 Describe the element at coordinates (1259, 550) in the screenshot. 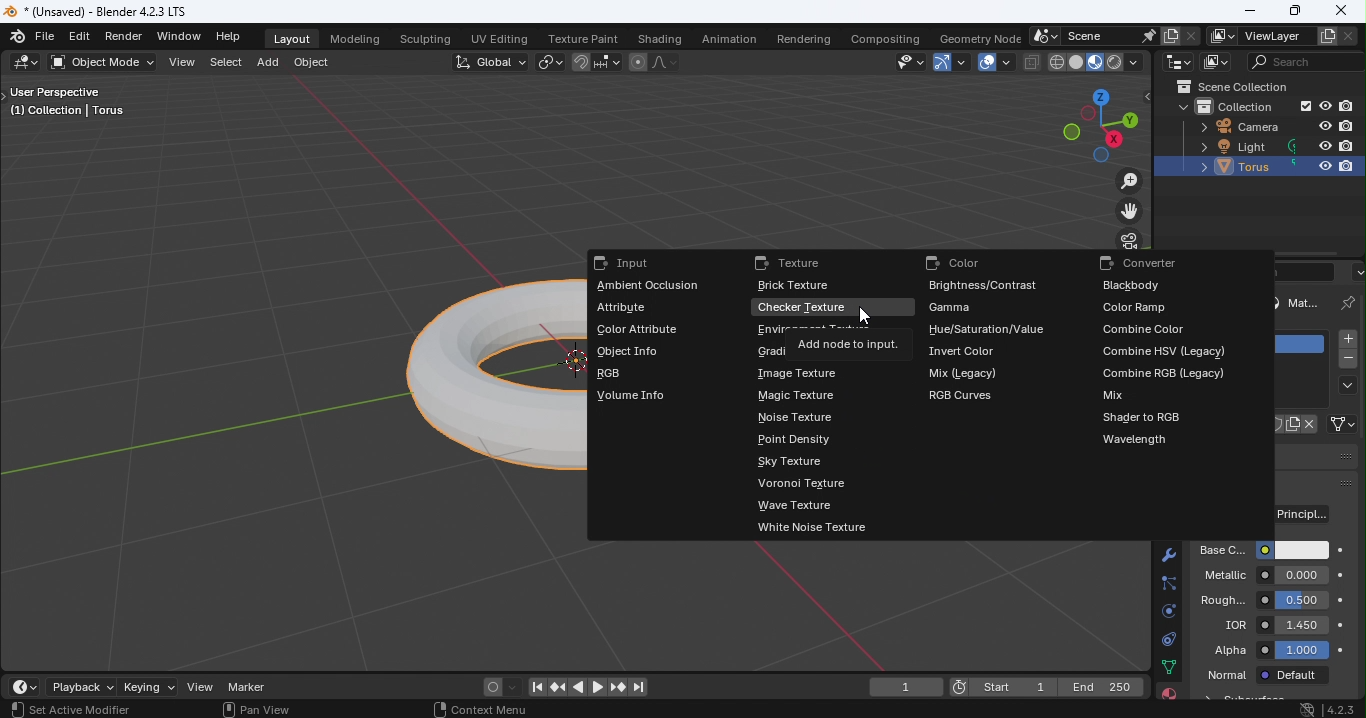

I see `Base color` at that location.